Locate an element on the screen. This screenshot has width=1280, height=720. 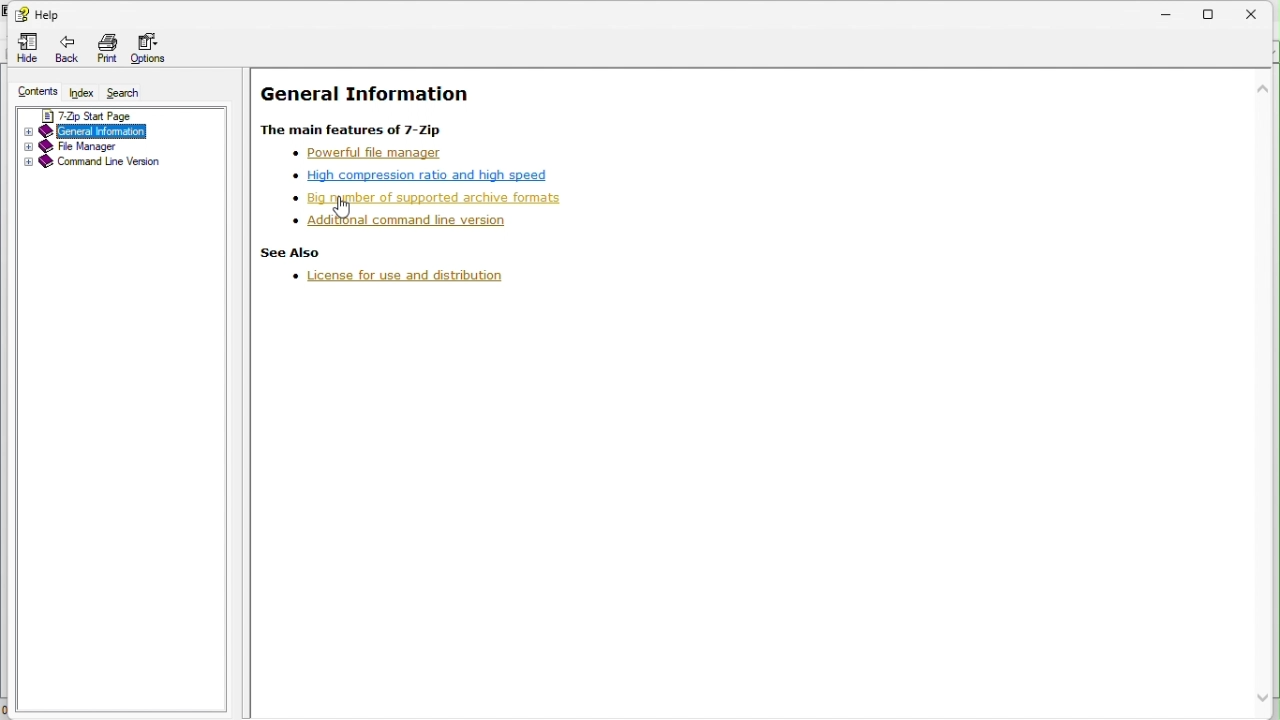
Additional command line version is located at coordinates (391, 223).